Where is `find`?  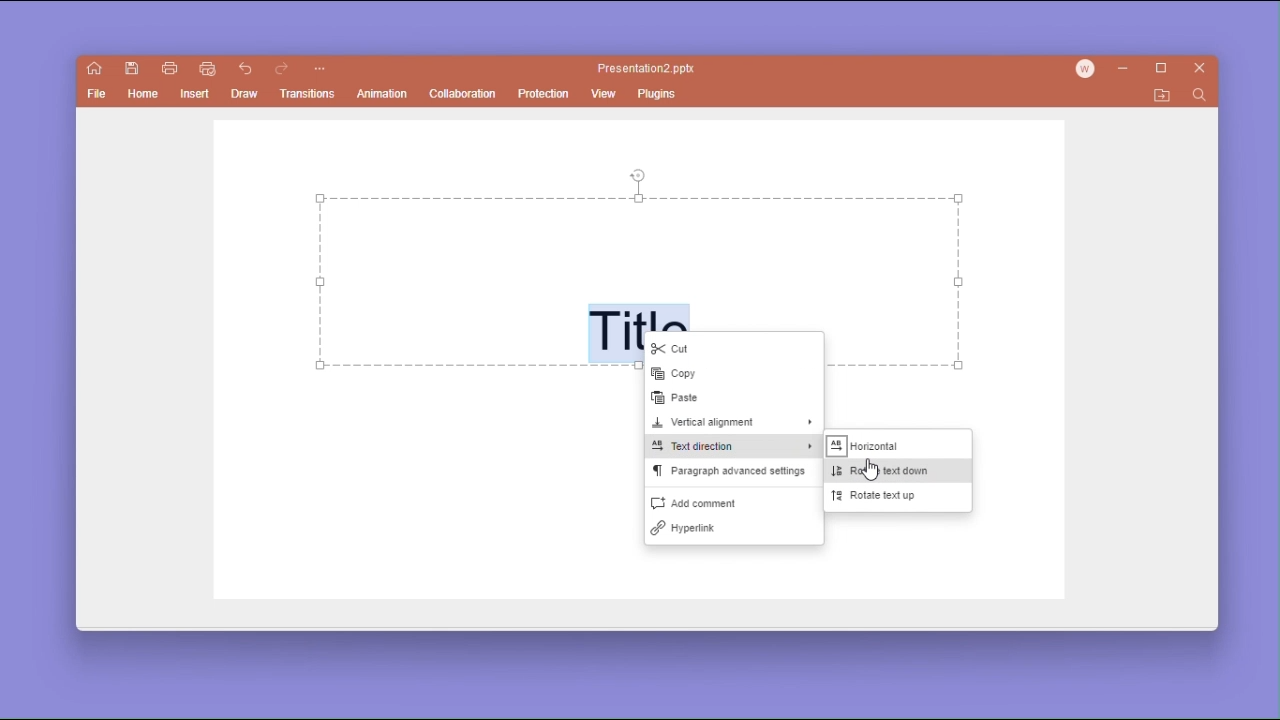
find is located at coordinates (1198, 96).